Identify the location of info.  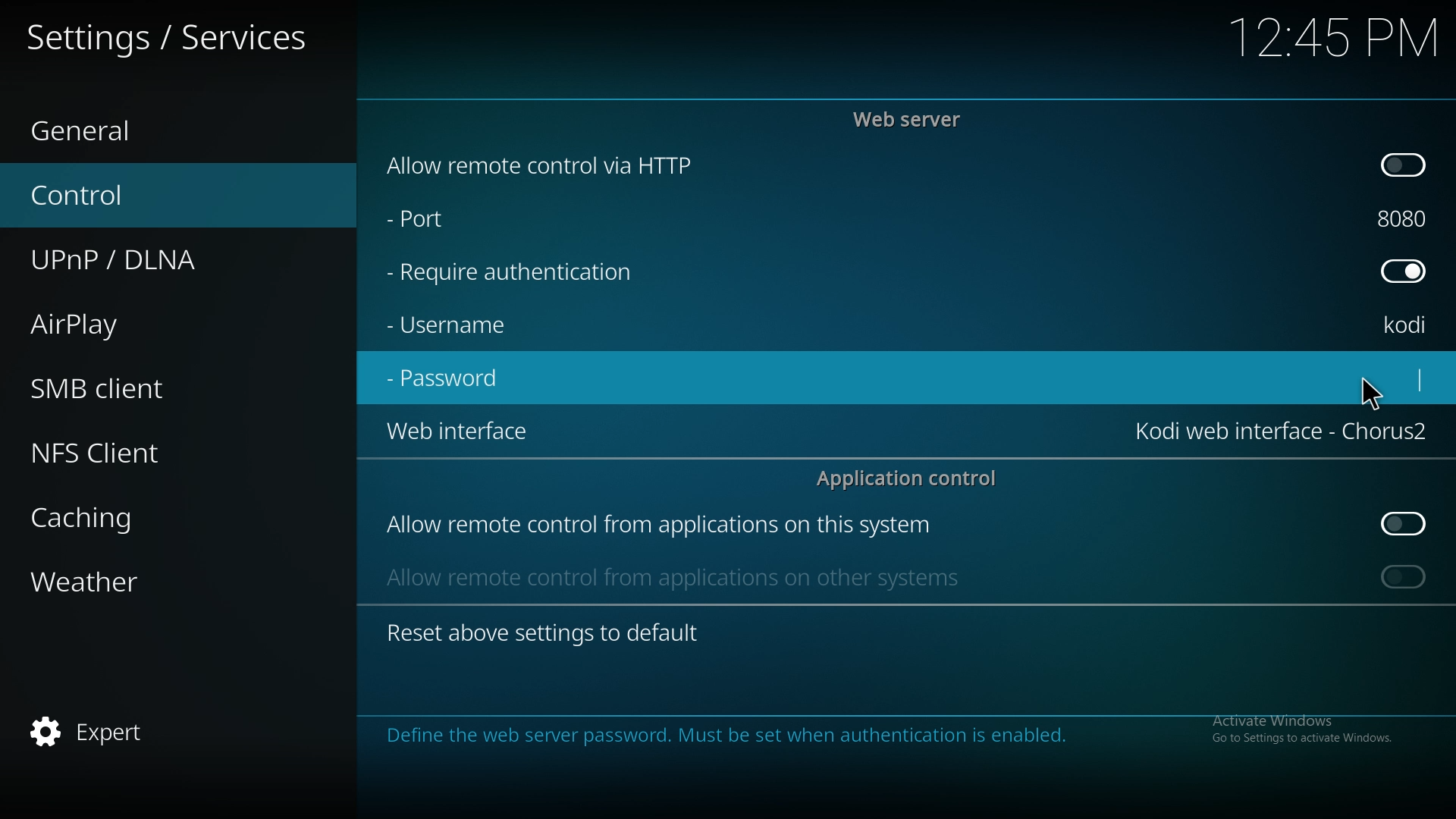
(883, 736).